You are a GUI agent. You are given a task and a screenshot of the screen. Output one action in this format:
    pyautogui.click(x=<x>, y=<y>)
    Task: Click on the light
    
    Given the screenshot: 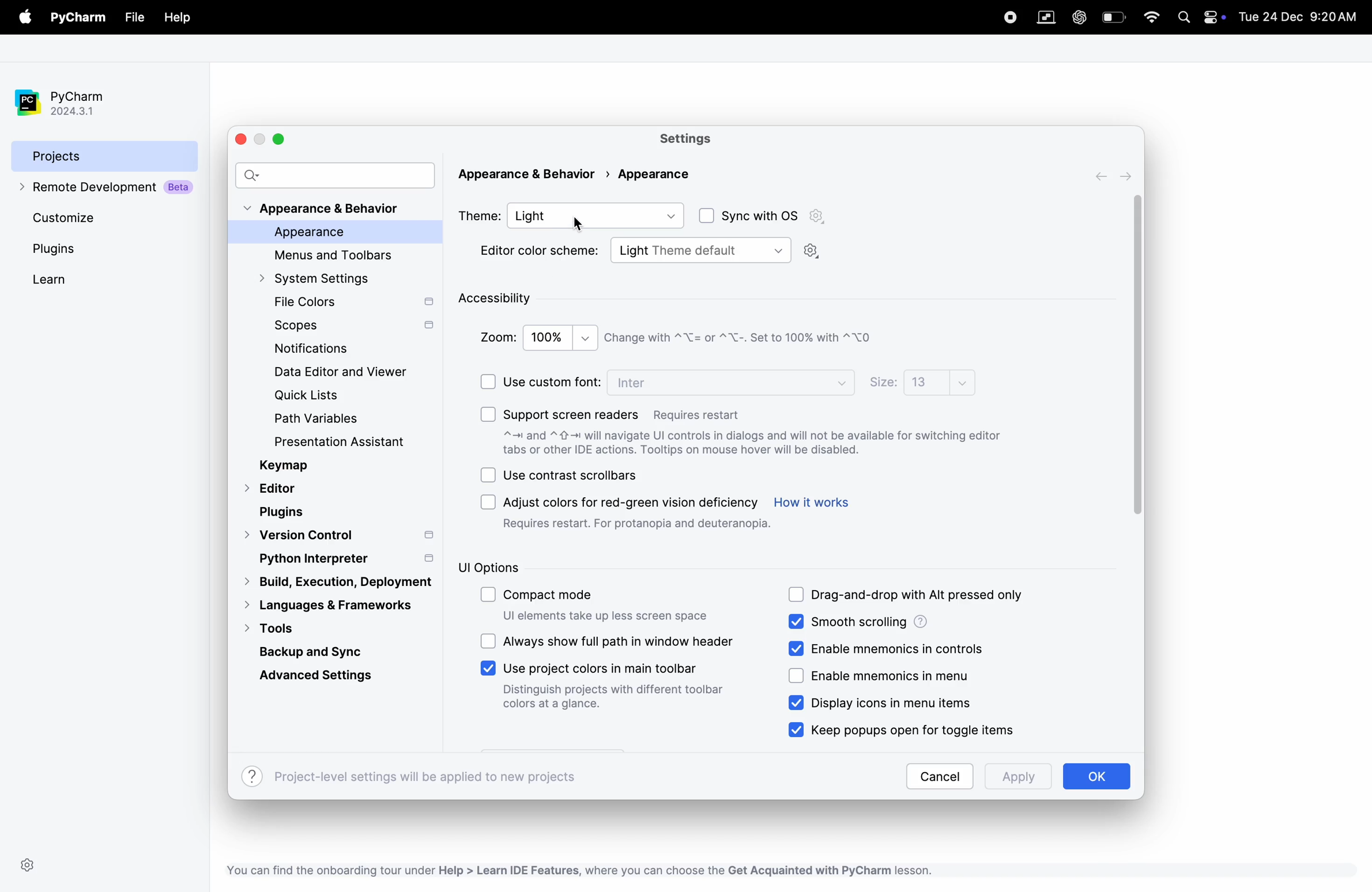 What is the action you would take?
    pyautogui.click(x=597, y=215)
    